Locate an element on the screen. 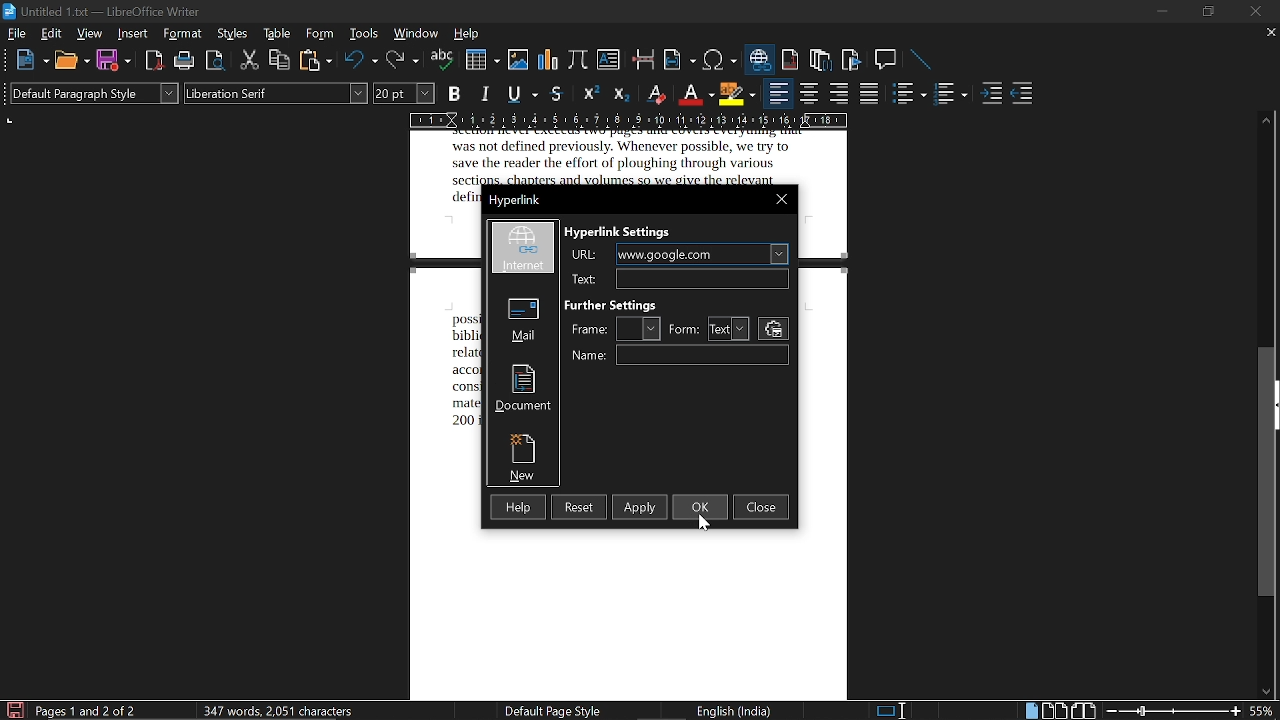 This screenshot has height=720, width=1280. URL is located at coordinates (703, 255).